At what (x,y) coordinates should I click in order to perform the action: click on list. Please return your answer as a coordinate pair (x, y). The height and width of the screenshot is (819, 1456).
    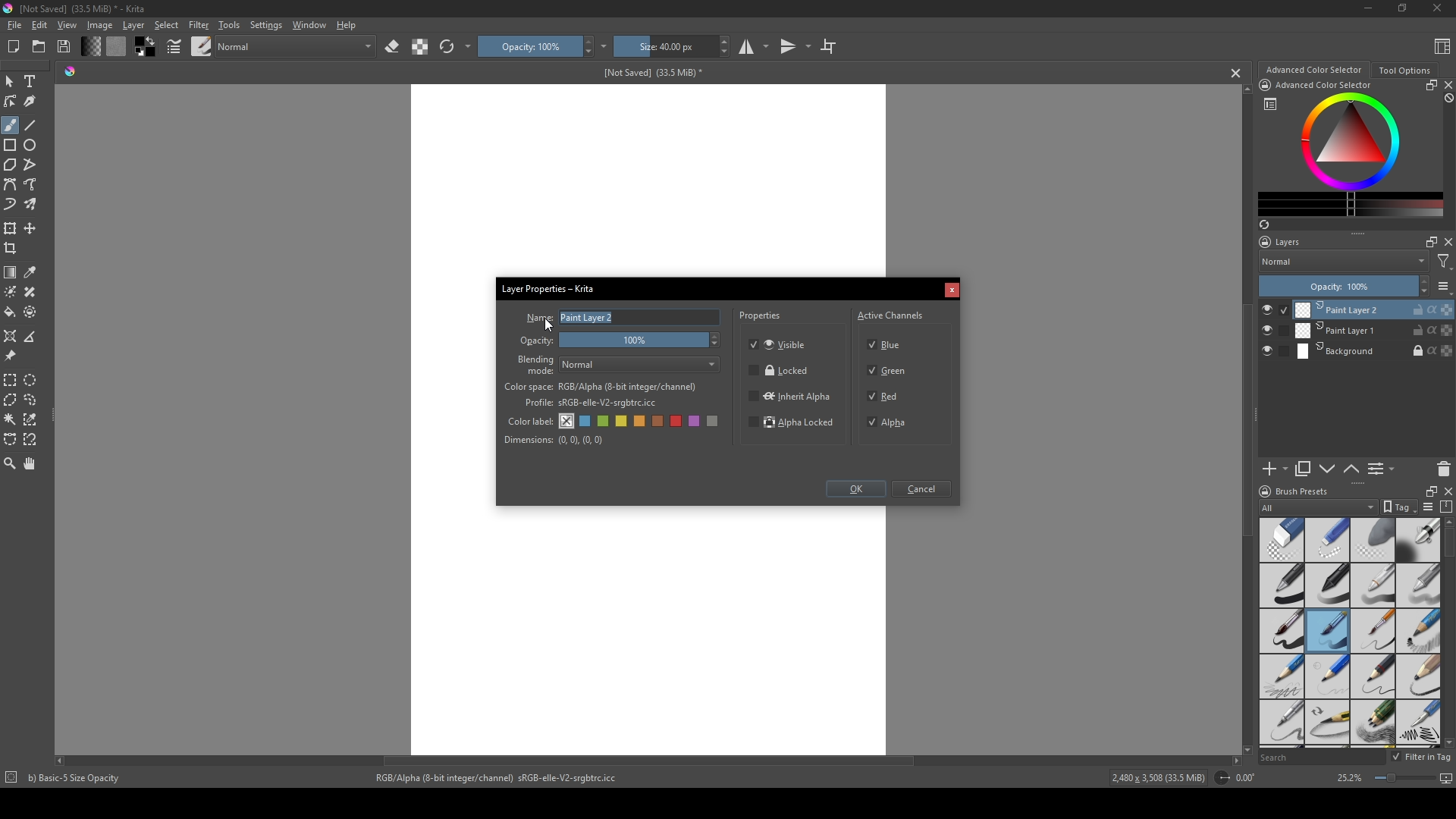
    Looking at the image, I should click on (1427, 507).